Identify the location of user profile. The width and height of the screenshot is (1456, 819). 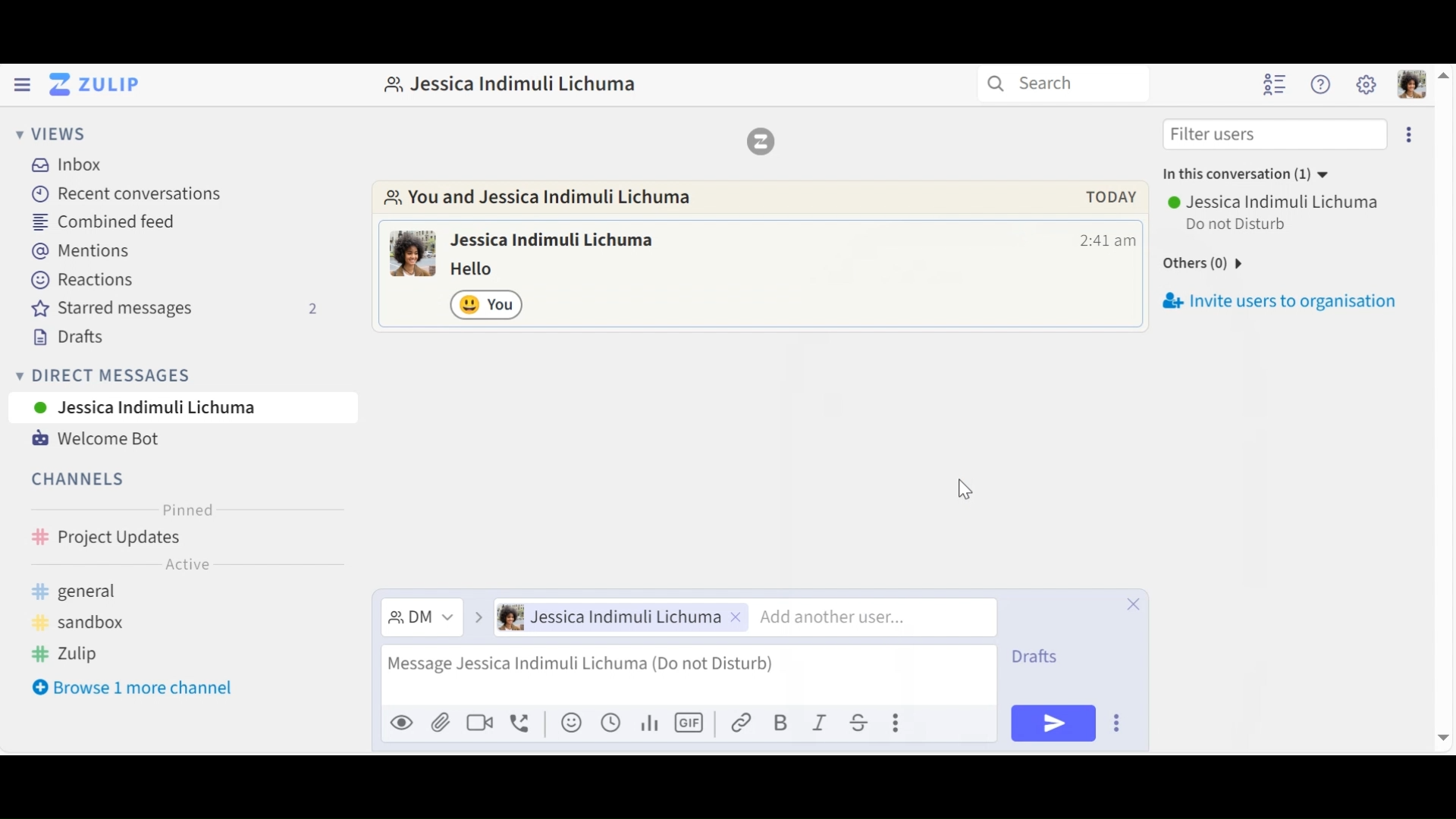
(413, 256).